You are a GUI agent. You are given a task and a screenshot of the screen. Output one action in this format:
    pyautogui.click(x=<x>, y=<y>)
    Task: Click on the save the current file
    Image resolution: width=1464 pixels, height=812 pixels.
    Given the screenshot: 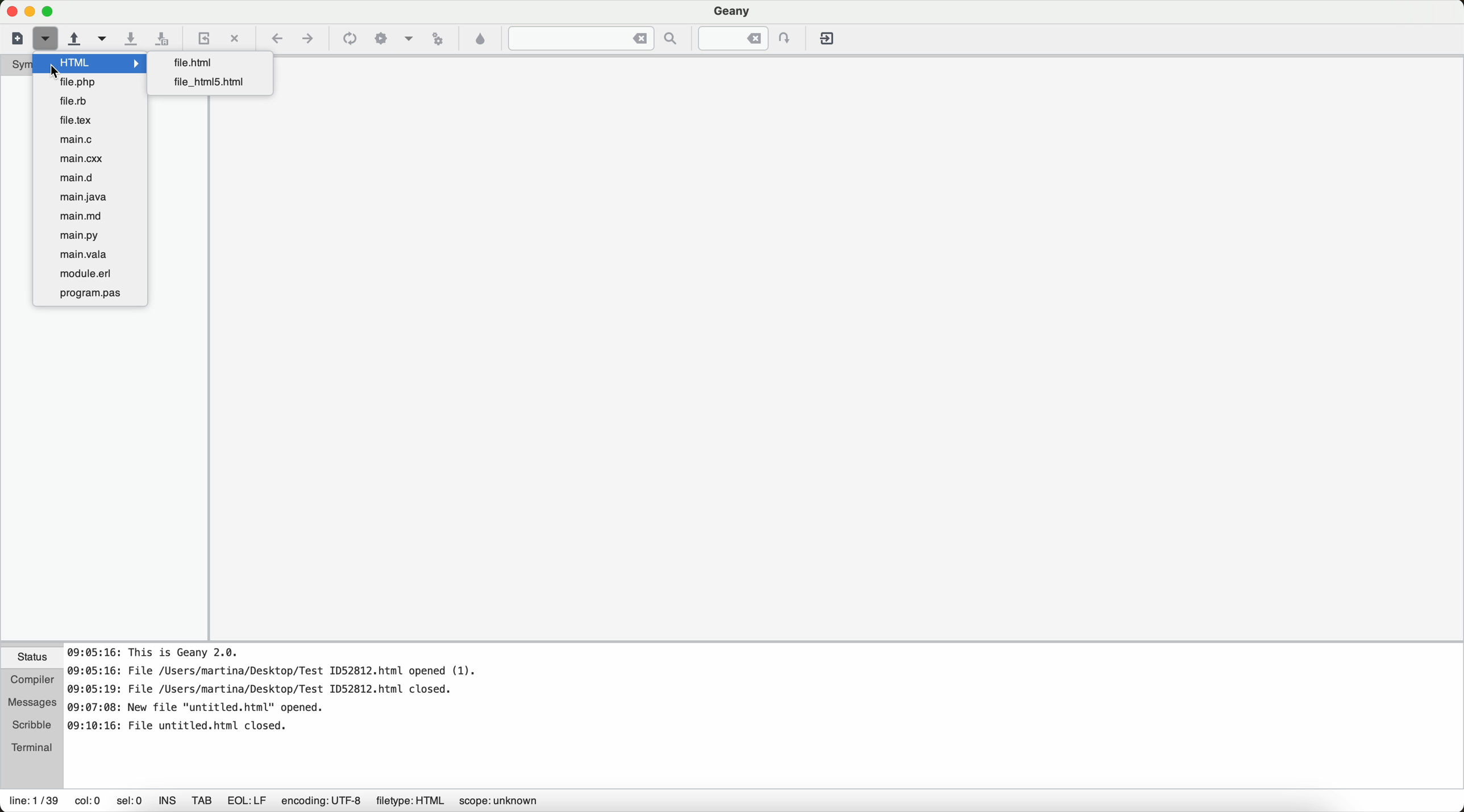 What is the action you would take?
    pyautogui.click(x=132, y=39)
    